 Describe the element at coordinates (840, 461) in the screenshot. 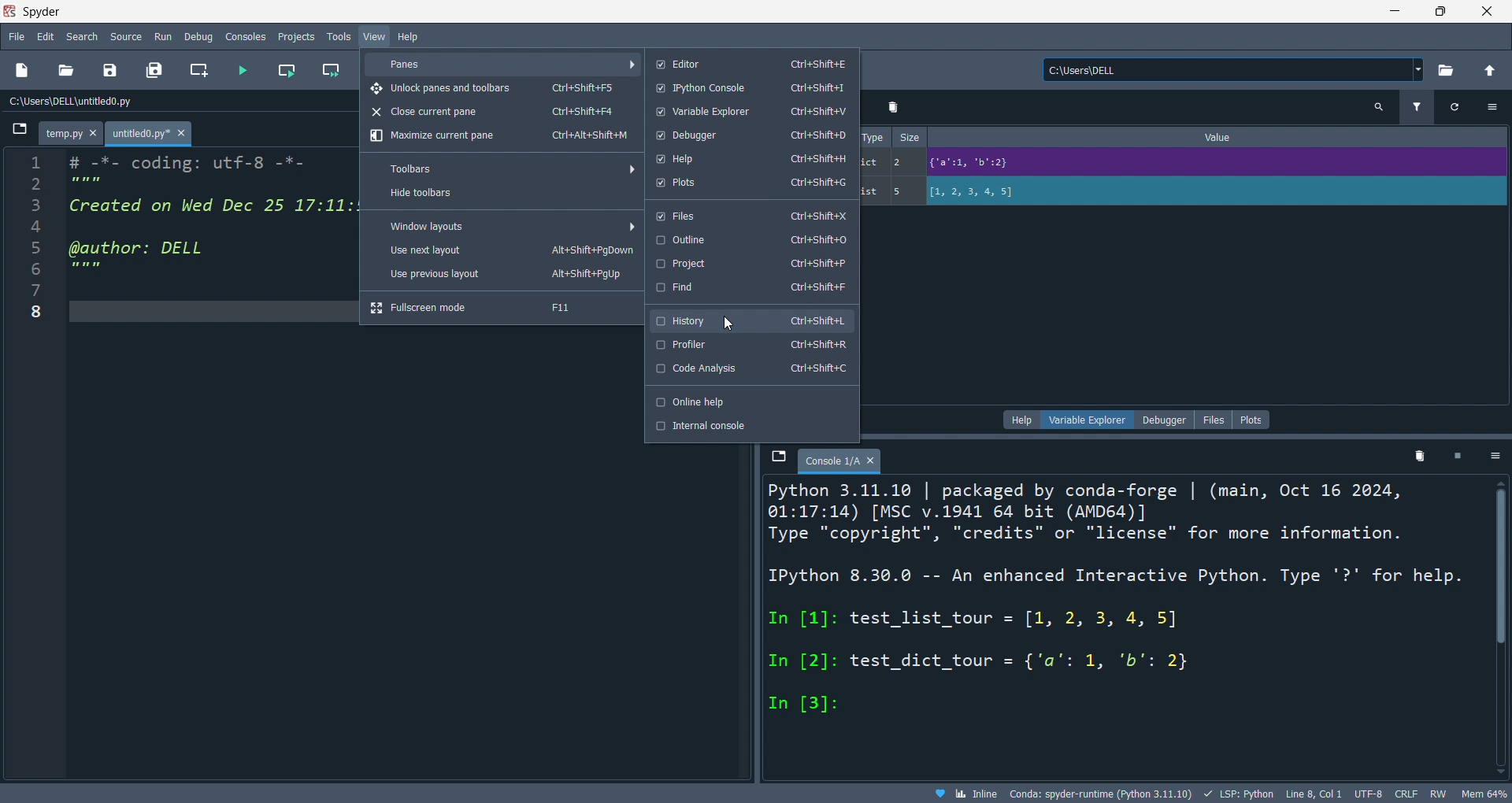

I see `tab` at that location.